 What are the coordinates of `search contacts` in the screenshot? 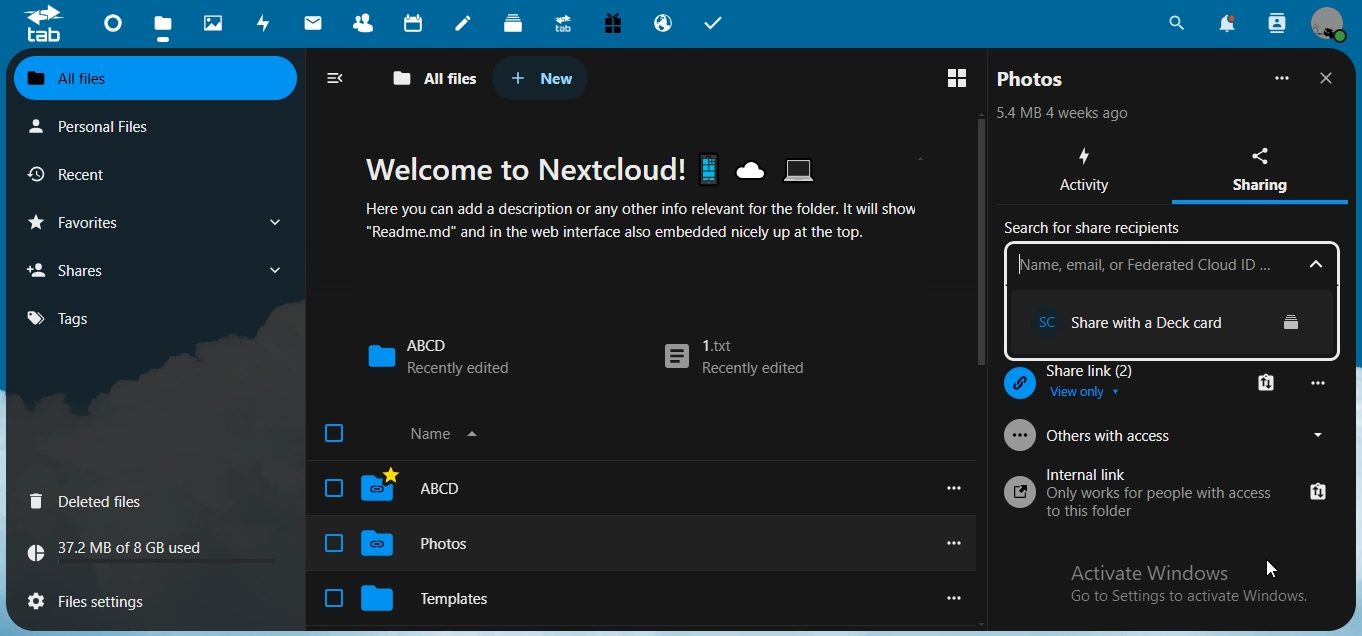 It's located at (1277, 23).